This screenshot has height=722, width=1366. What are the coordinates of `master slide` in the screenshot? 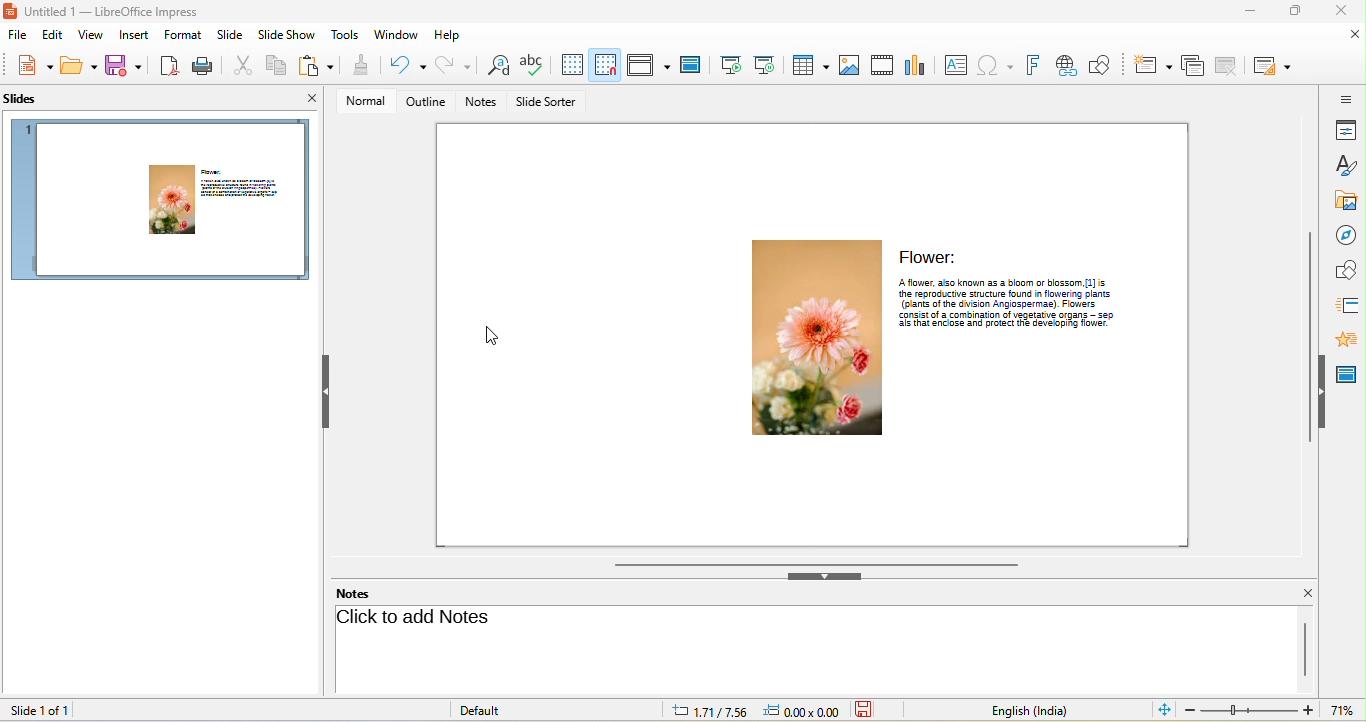 It's located at (1349, 375).